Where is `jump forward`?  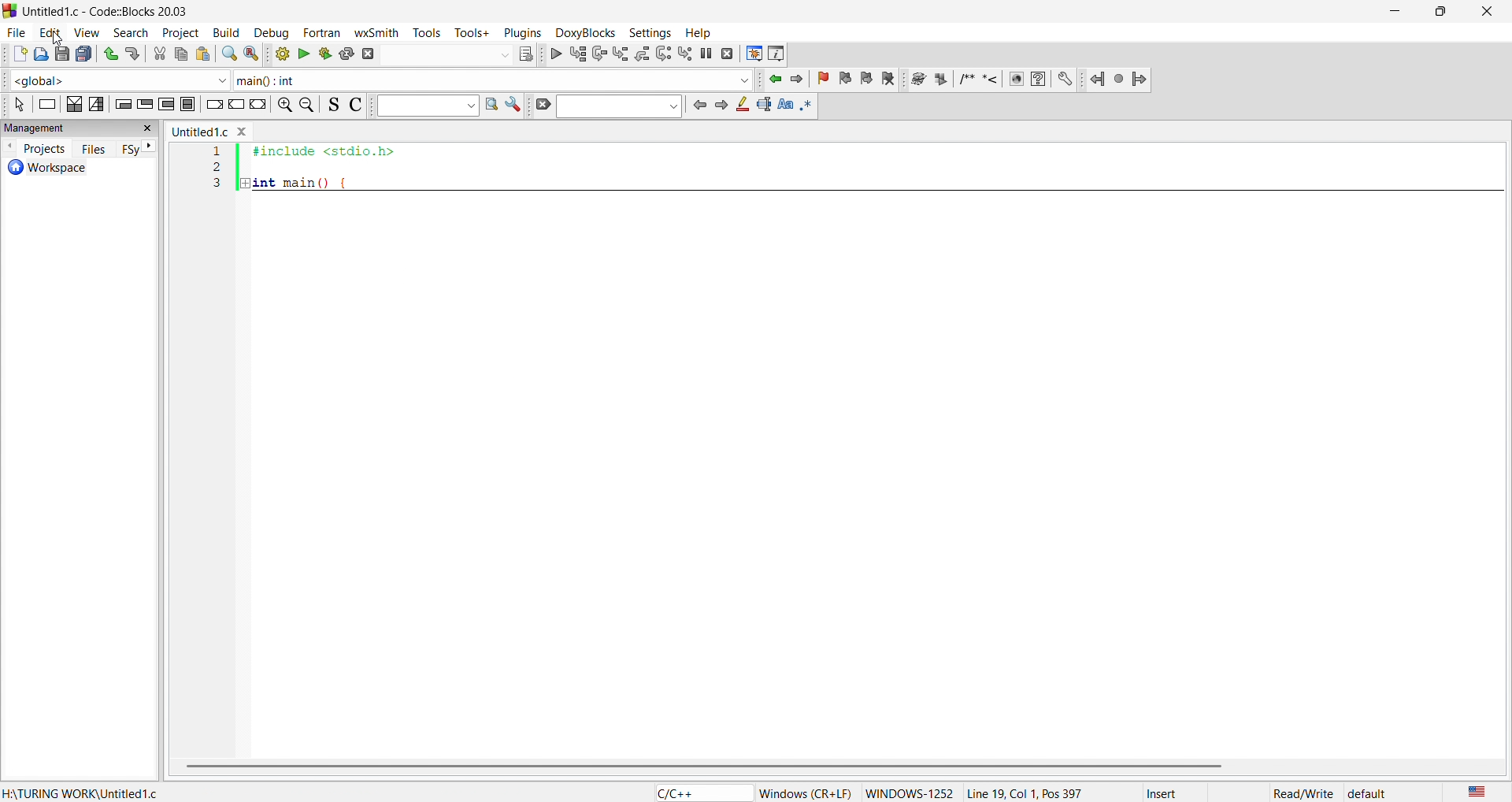
jump forward is located at coordinates (801, 79).